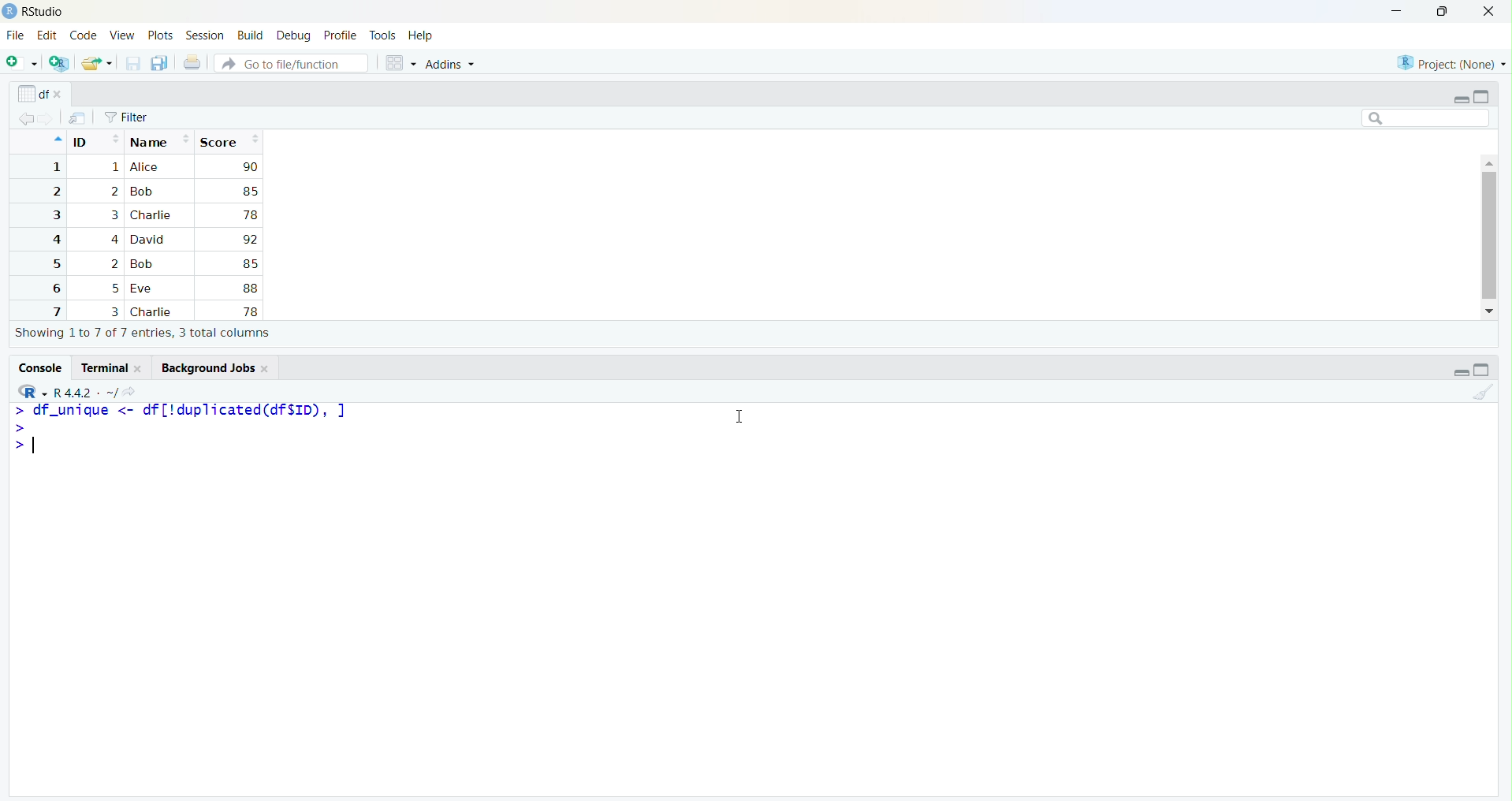 This screenshot has width=1512, height=801. What do you see at coordinates (295, 35) in the screenshot?
I see `Debug` at bounding box center [295, 35].